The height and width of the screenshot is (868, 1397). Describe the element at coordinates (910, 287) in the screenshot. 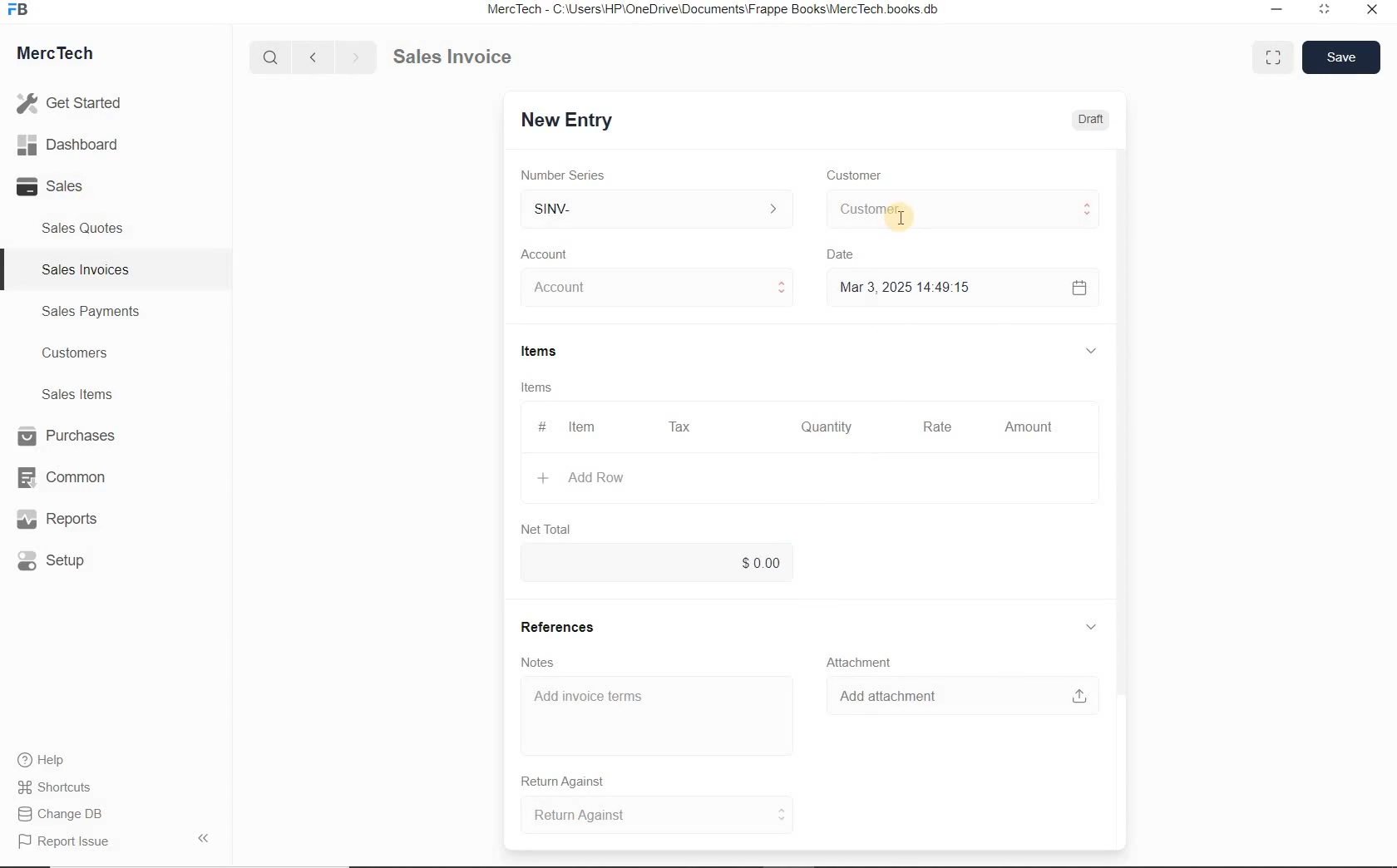

I see `Mar 3, 2025 14:49:15` at that location.